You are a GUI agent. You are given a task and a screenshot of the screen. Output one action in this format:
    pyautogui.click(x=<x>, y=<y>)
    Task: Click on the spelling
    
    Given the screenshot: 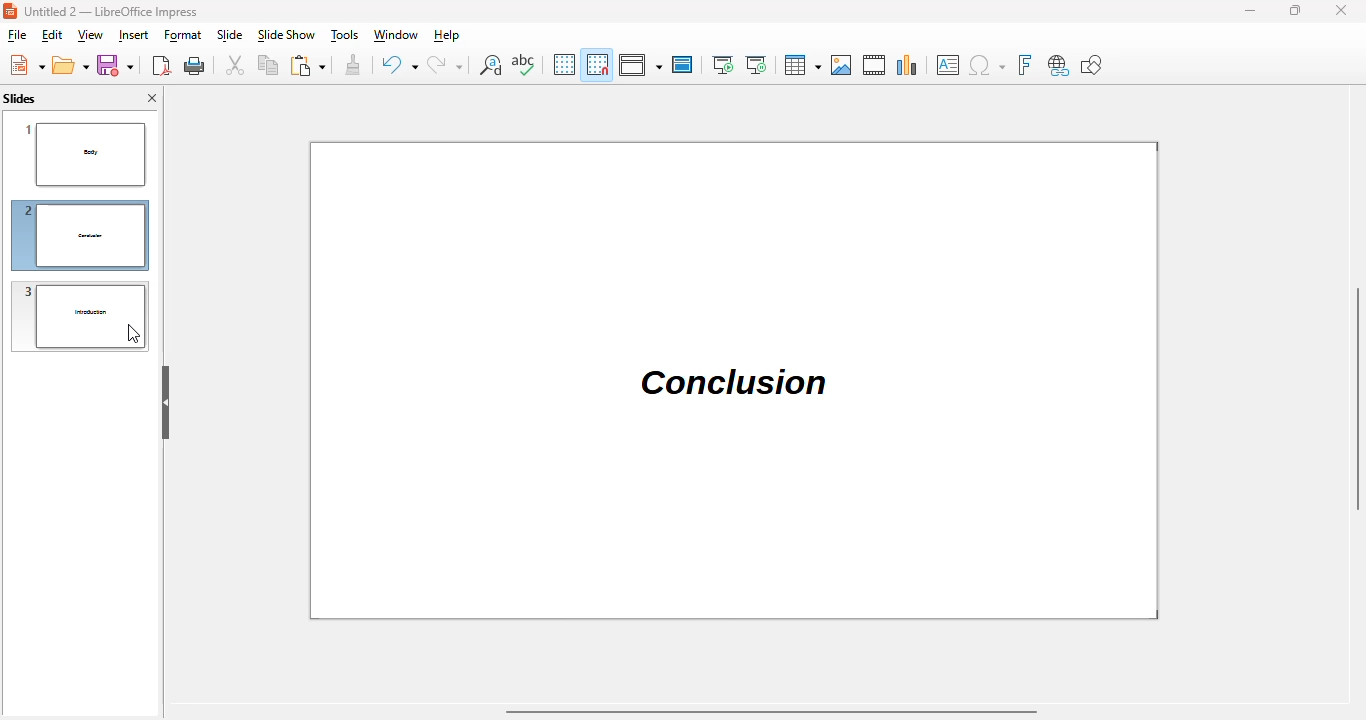 What is the action you would take?
    pyautogui.click(x=523, y=64)
    